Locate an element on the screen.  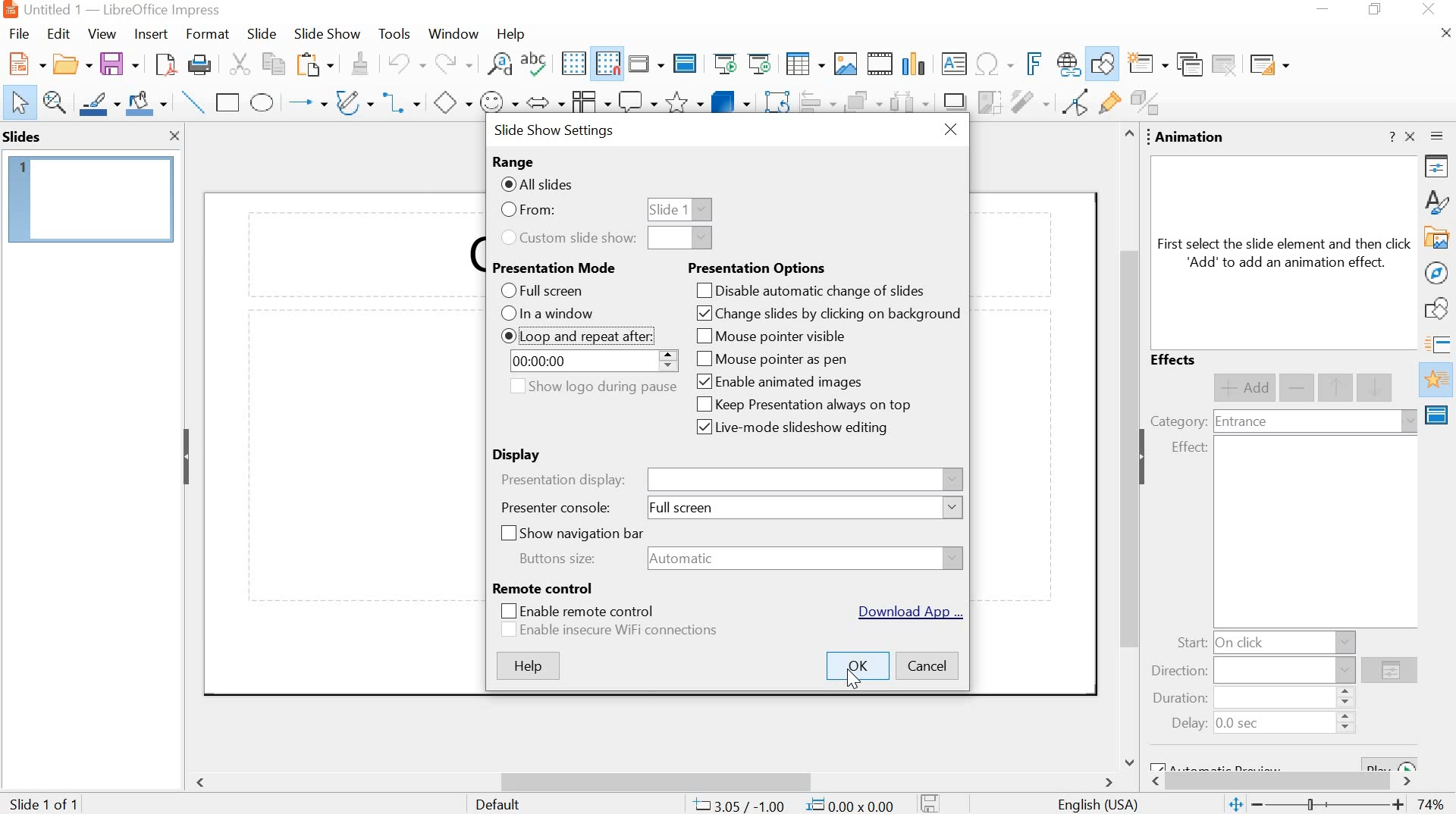
adjustment bar is located at coordinates (1331, 806).